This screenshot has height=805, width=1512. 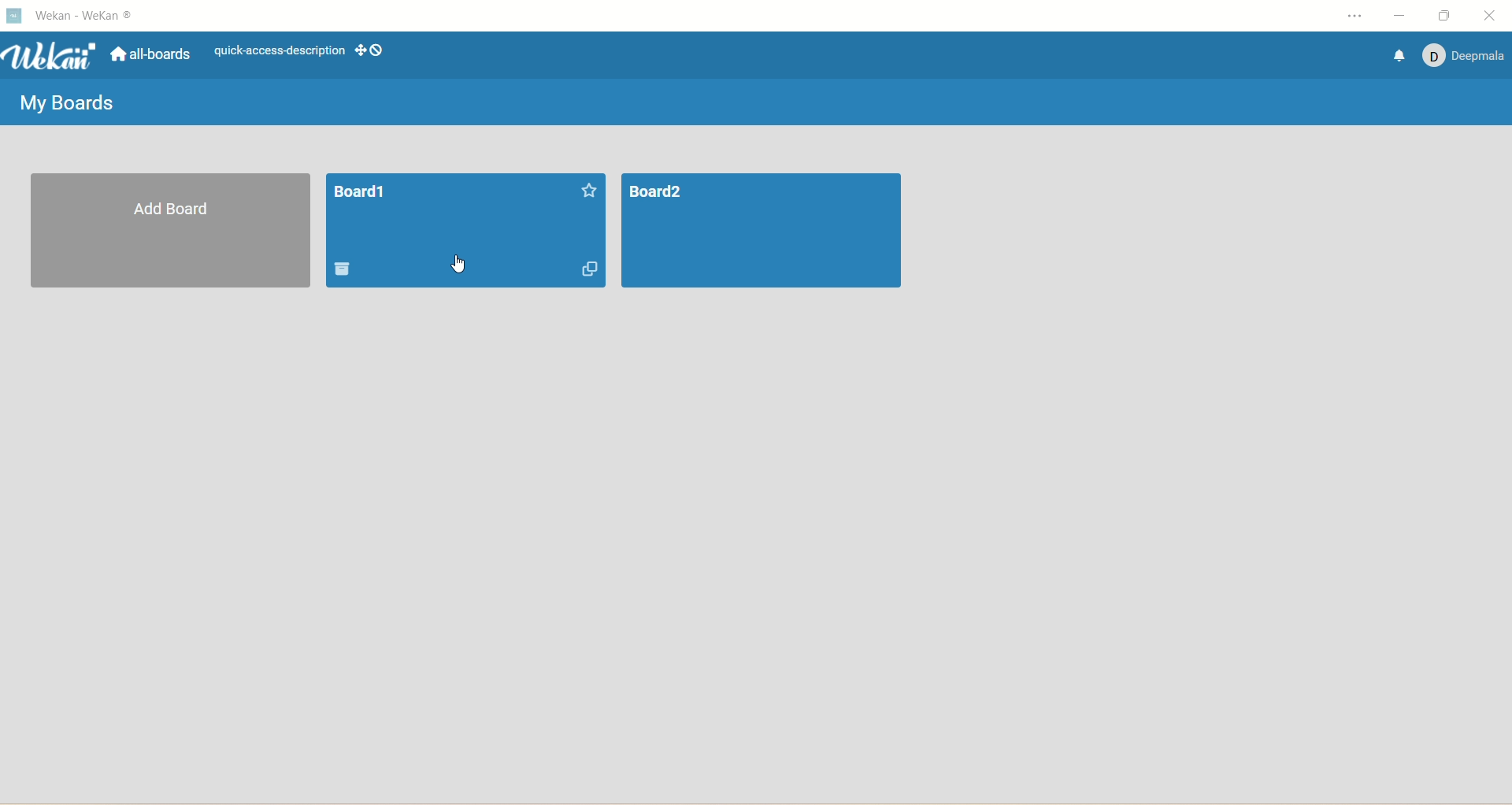 I want to click on settings and more, so click(x=1352, y=18).